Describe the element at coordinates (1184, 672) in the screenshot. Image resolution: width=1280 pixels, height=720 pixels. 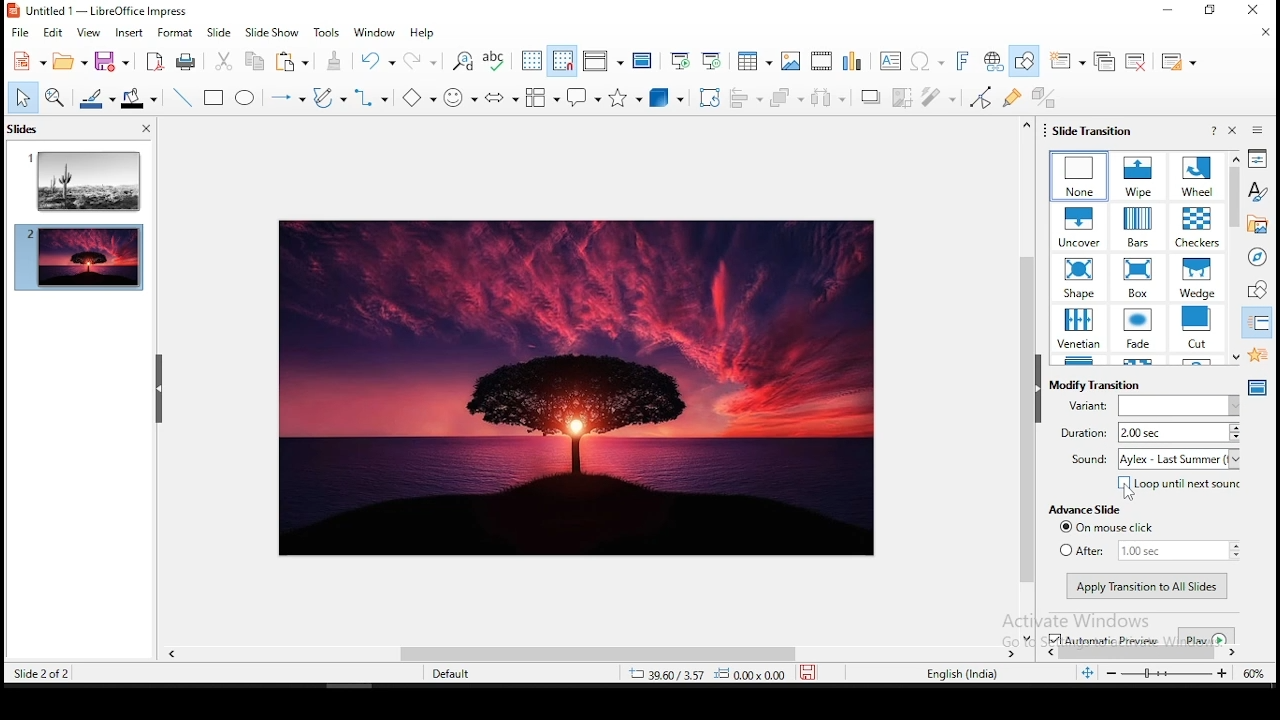
I see `zoom` at that location.